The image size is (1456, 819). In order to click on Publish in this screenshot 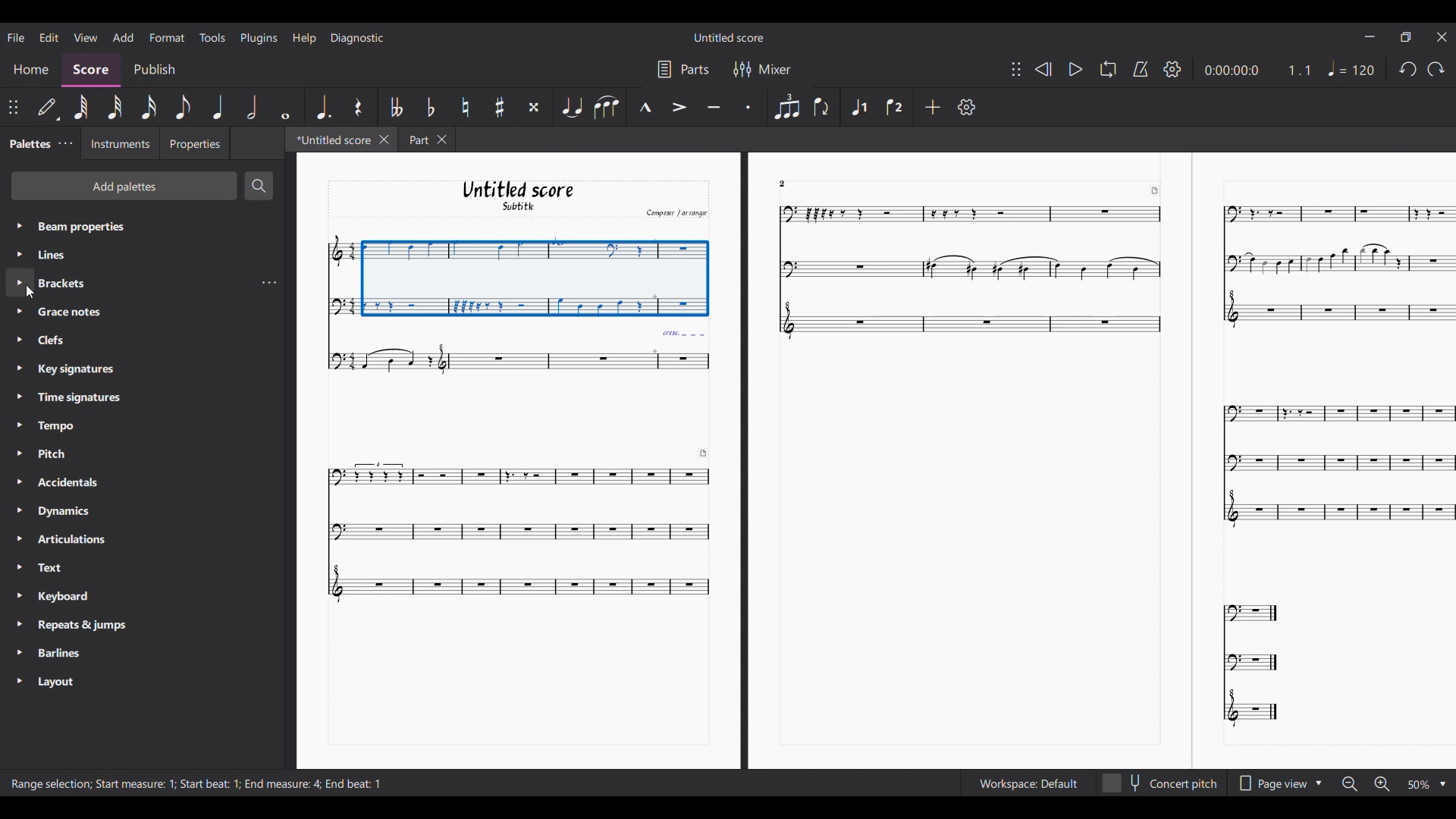, I will do `click(153, 69)`.